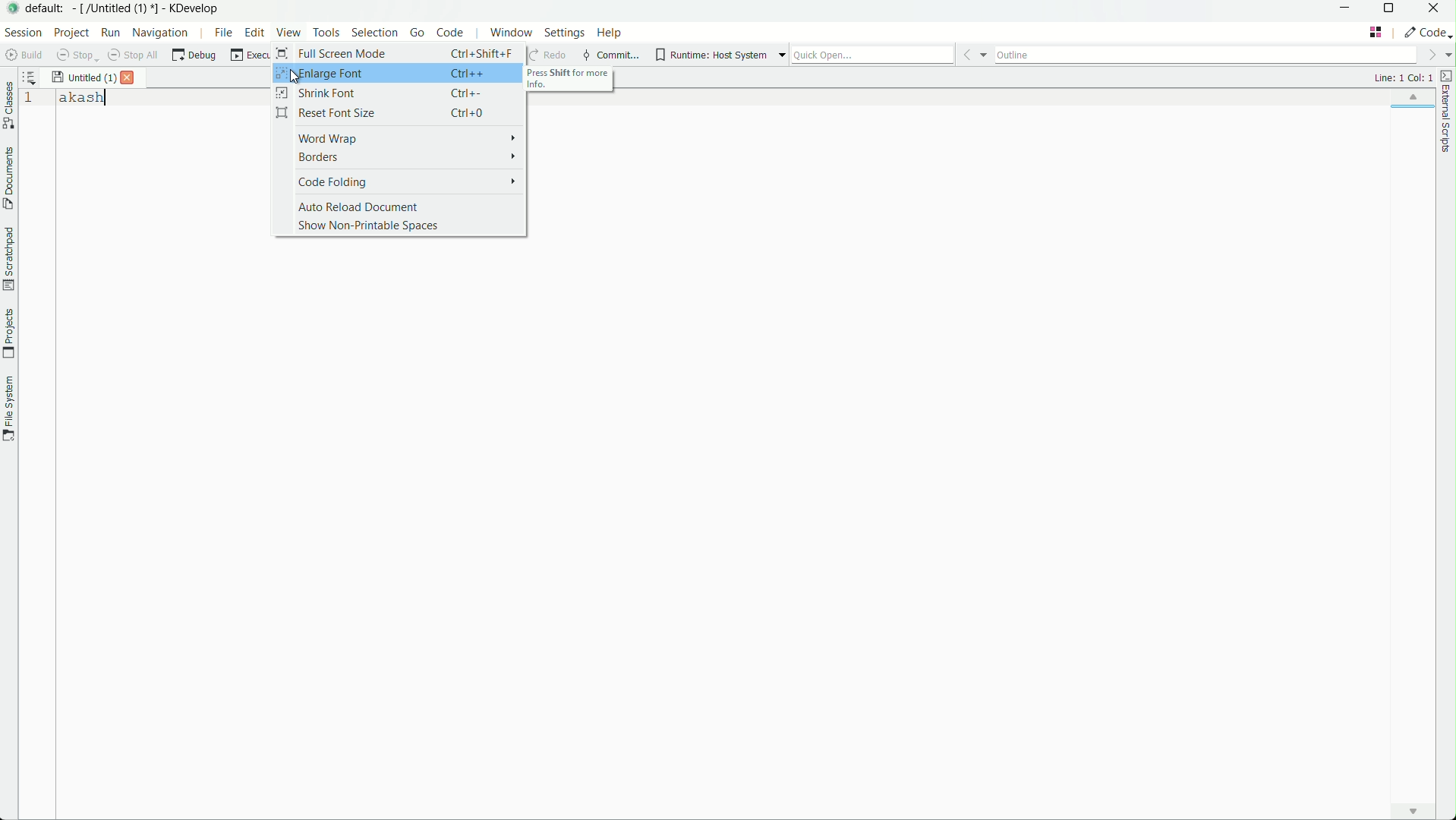  I want to click on project, so click(74, 33).